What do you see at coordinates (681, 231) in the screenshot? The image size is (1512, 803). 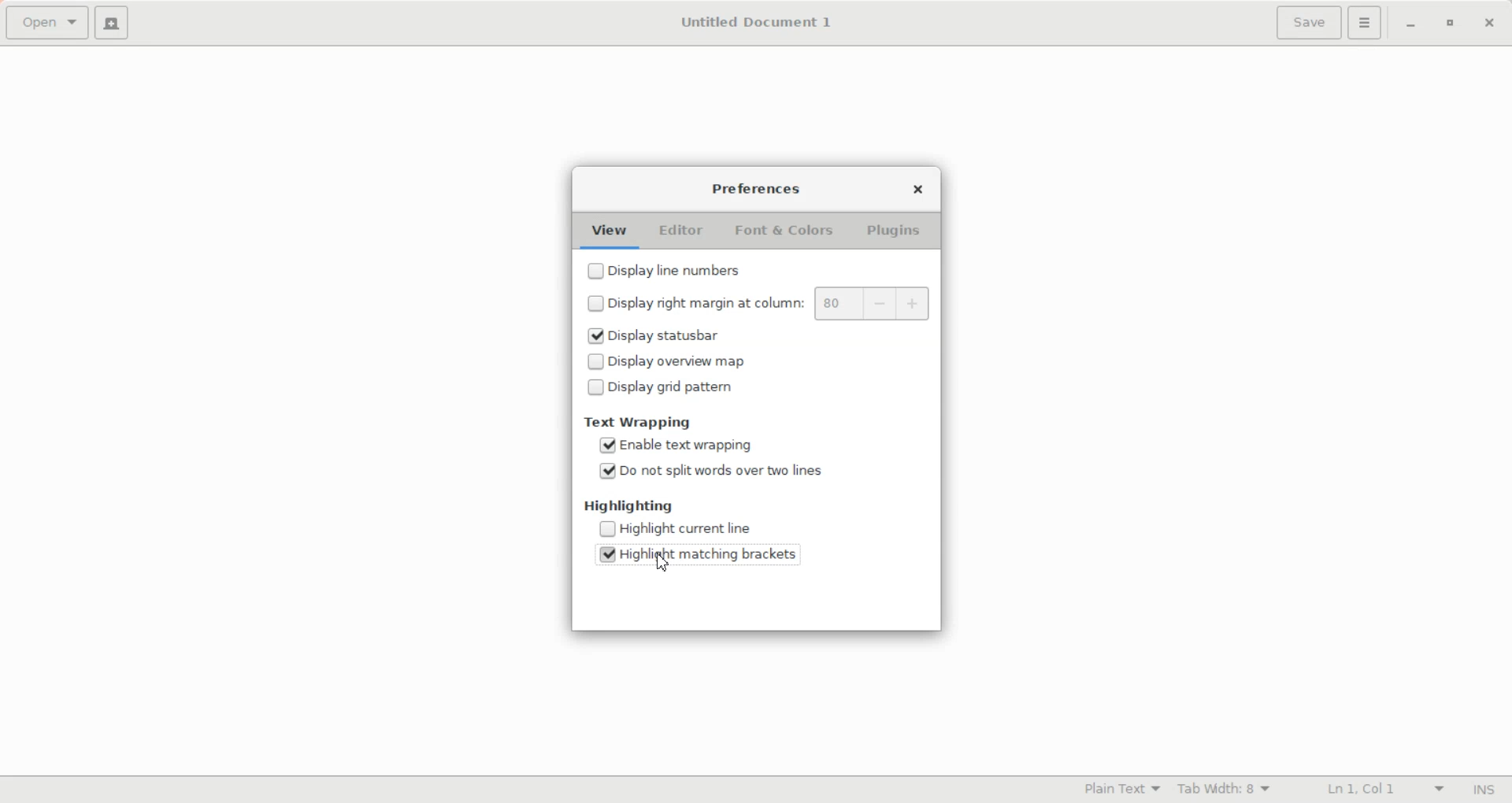 I see `Editor` at bounding box center [681, 231].